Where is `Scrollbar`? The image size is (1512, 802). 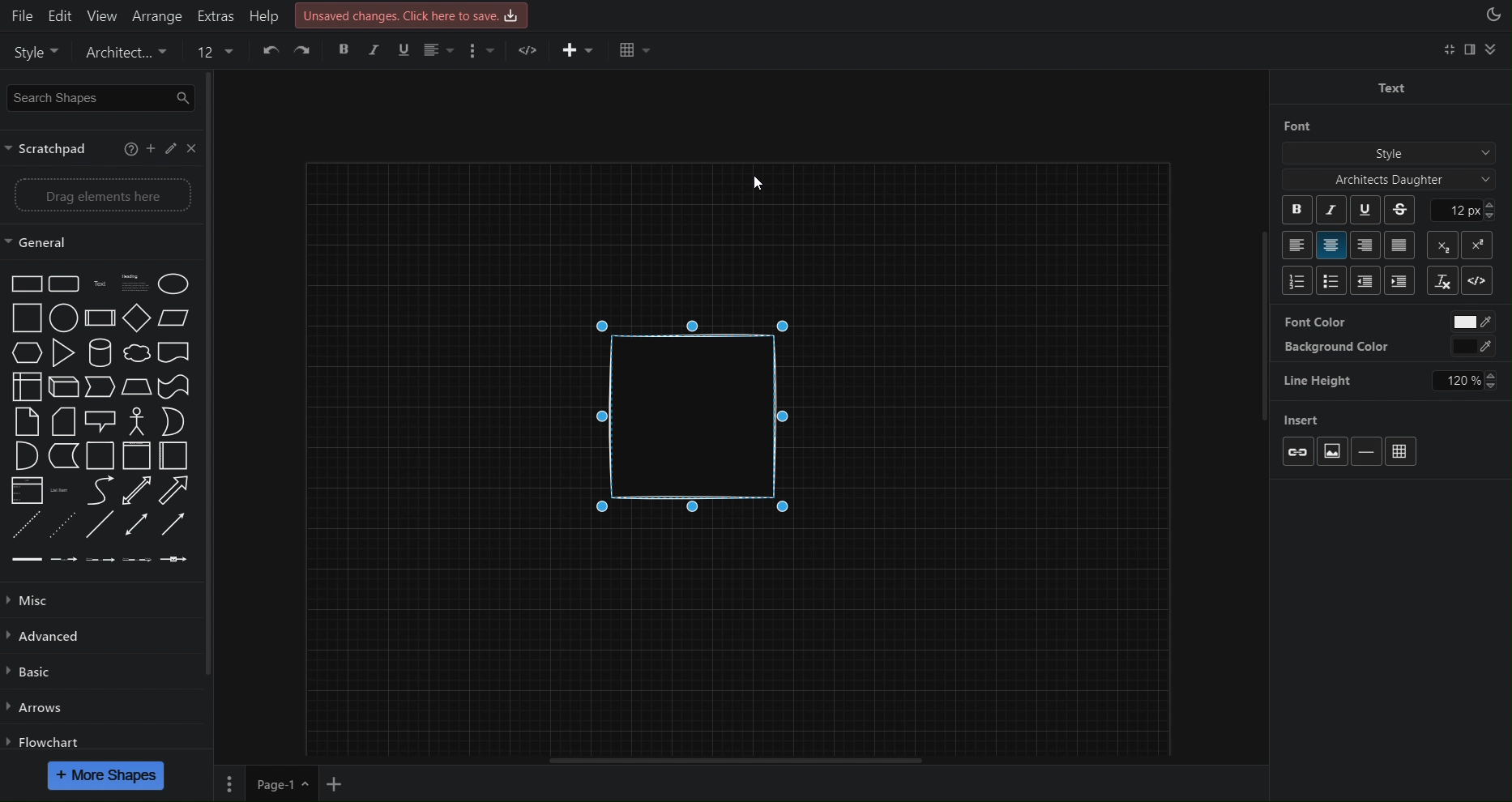 Scrollbar is located at coordinates (1261, 334).